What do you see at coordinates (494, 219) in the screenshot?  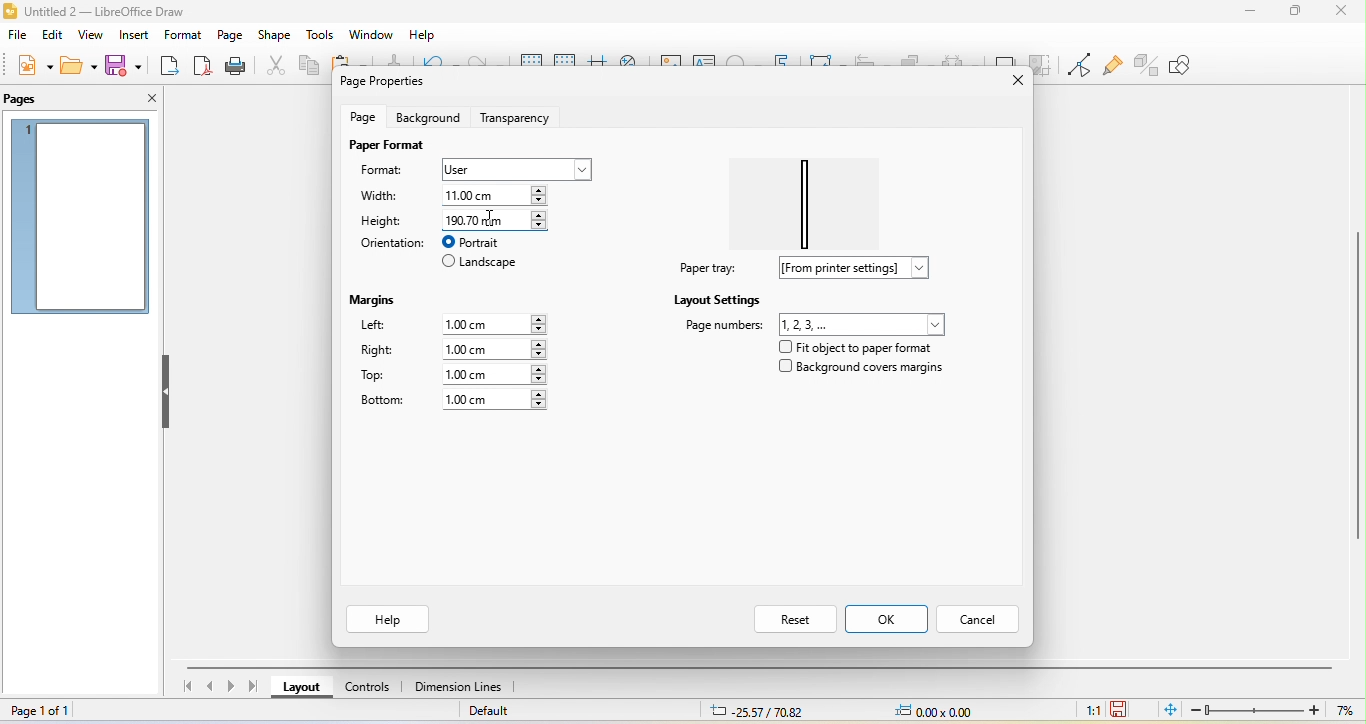 I see `190.70 cm` at bounding box center [494, 219].